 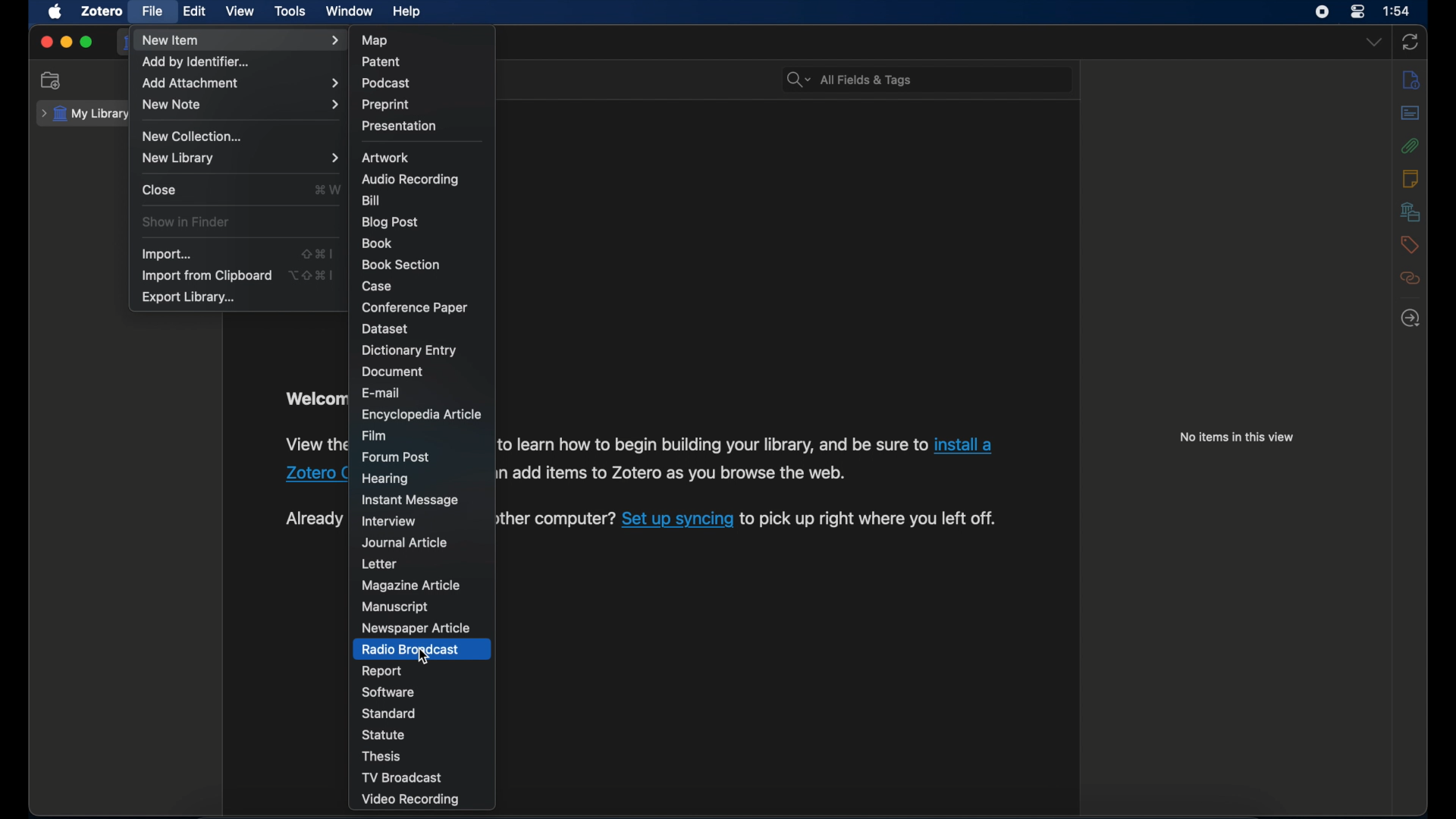 I want to click on View the, so click(x=317, y=443).